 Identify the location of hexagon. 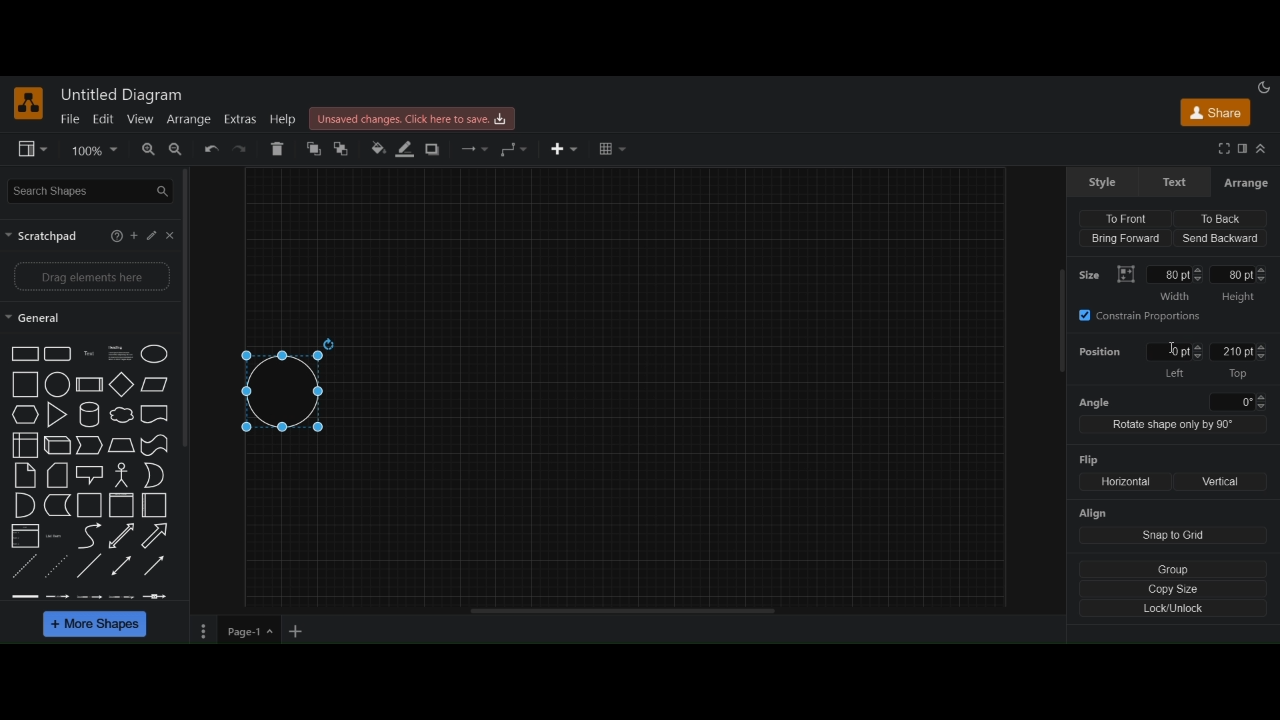
(26, 416).